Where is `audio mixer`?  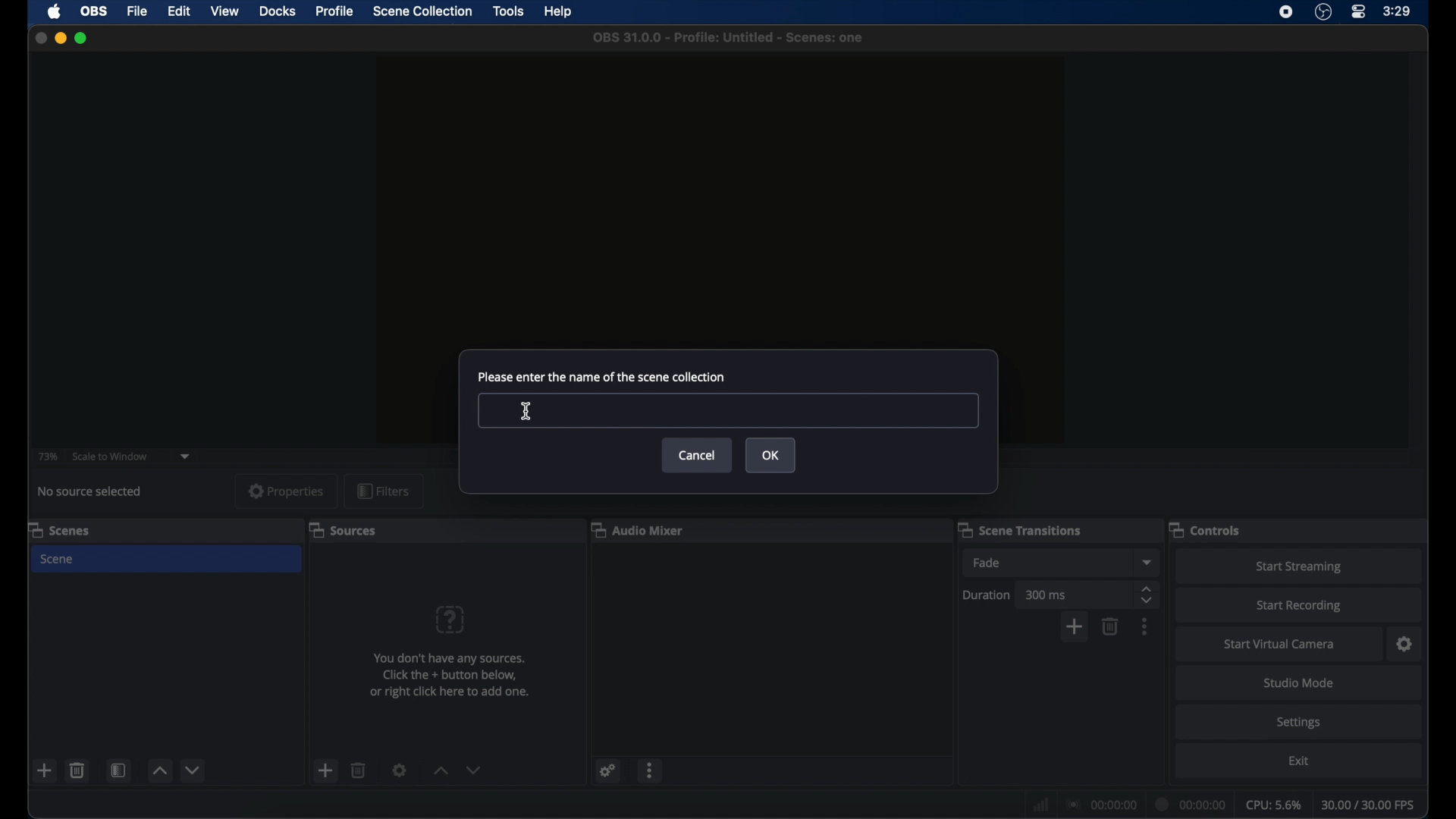 audio mixer is located at coordinates (638, 529).